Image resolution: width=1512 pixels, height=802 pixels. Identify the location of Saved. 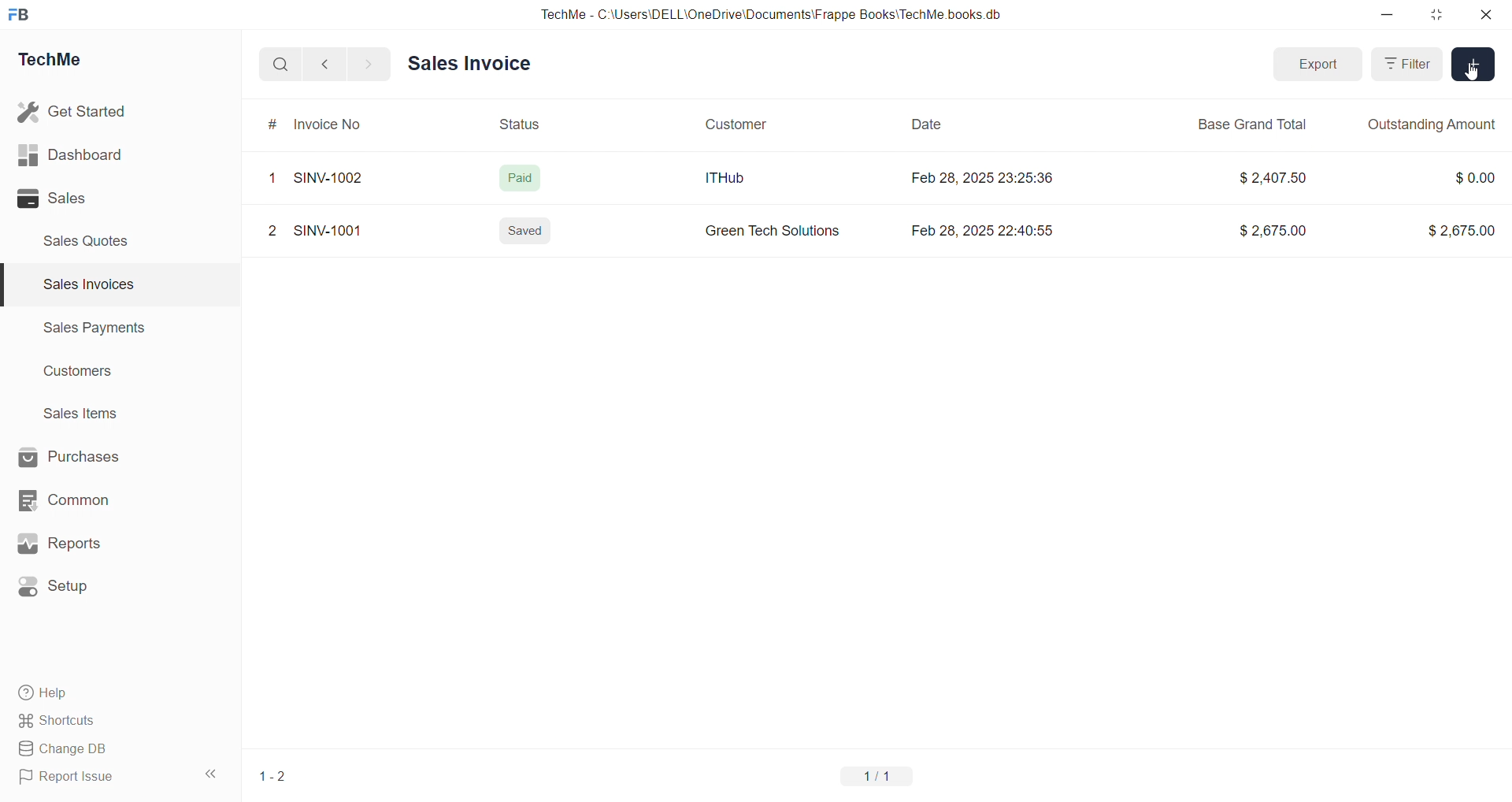
(526, 235).